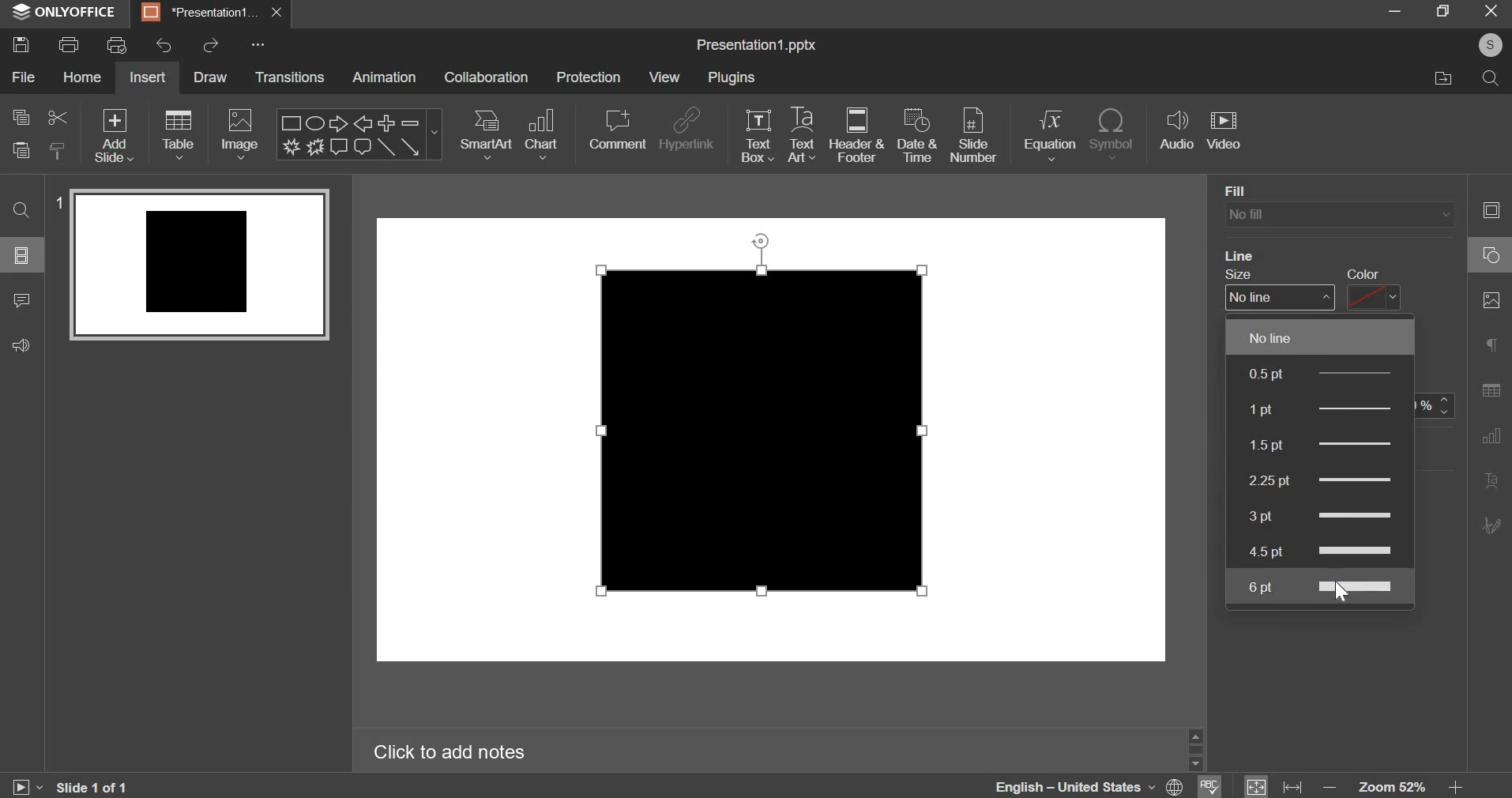 Image resolution: width=1512 pixels, height=798 pixels. I want to click on 0.5pt, so click(1325, 375).